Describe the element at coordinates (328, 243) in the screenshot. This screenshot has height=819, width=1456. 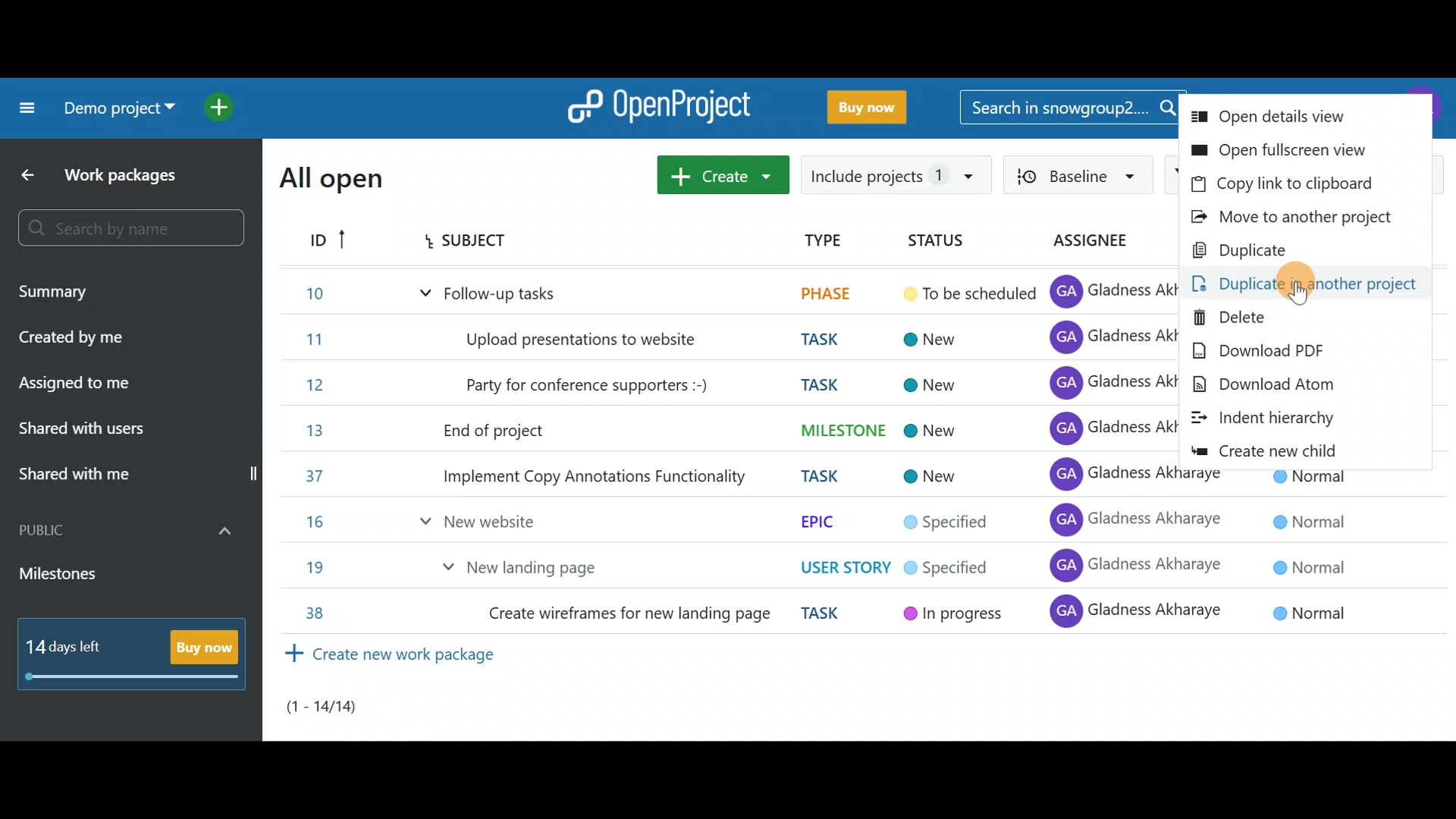
I see `ID` at that location.